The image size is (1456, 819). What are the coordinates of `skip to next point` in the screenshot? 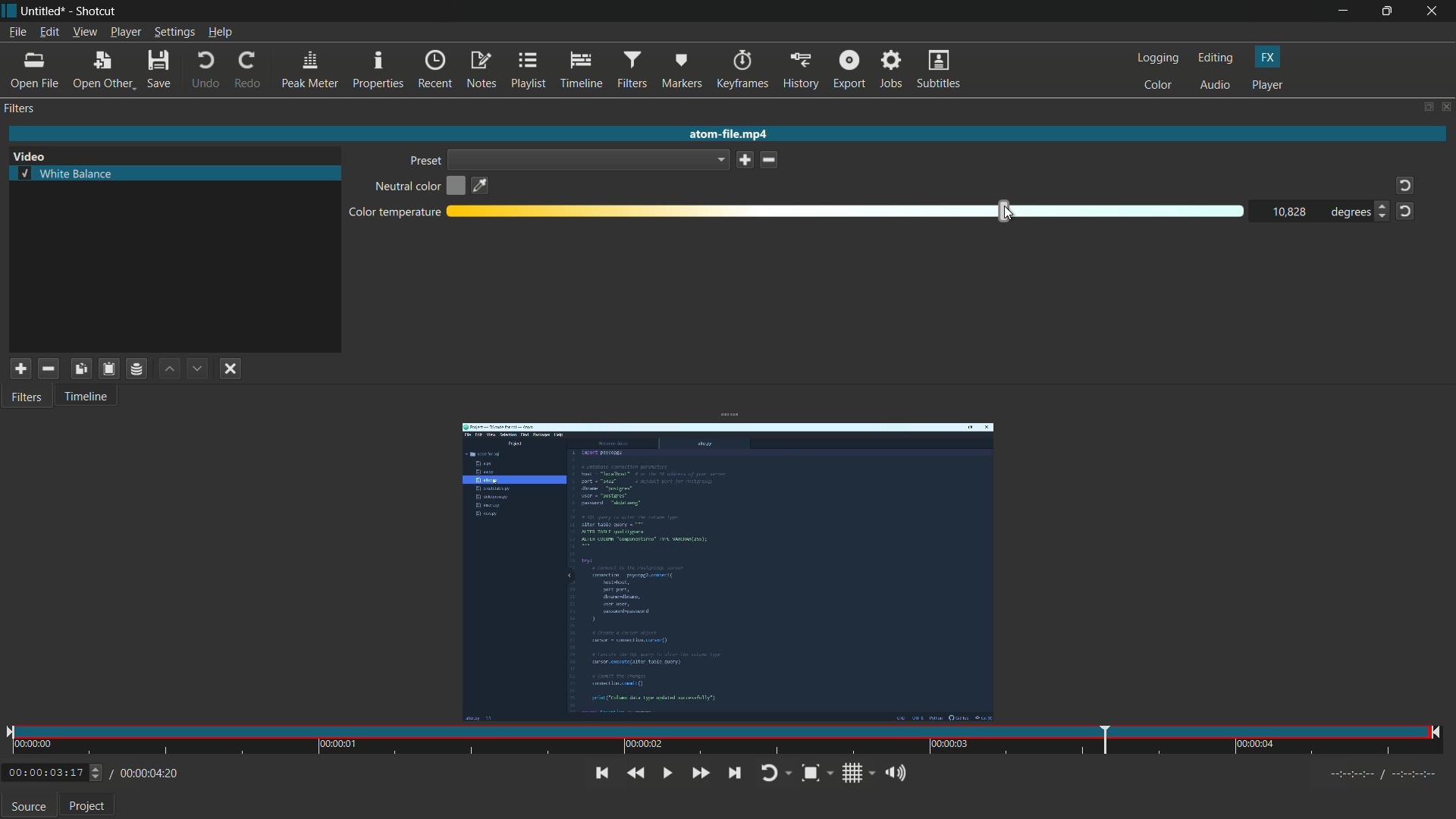 It's located at (734, 773).